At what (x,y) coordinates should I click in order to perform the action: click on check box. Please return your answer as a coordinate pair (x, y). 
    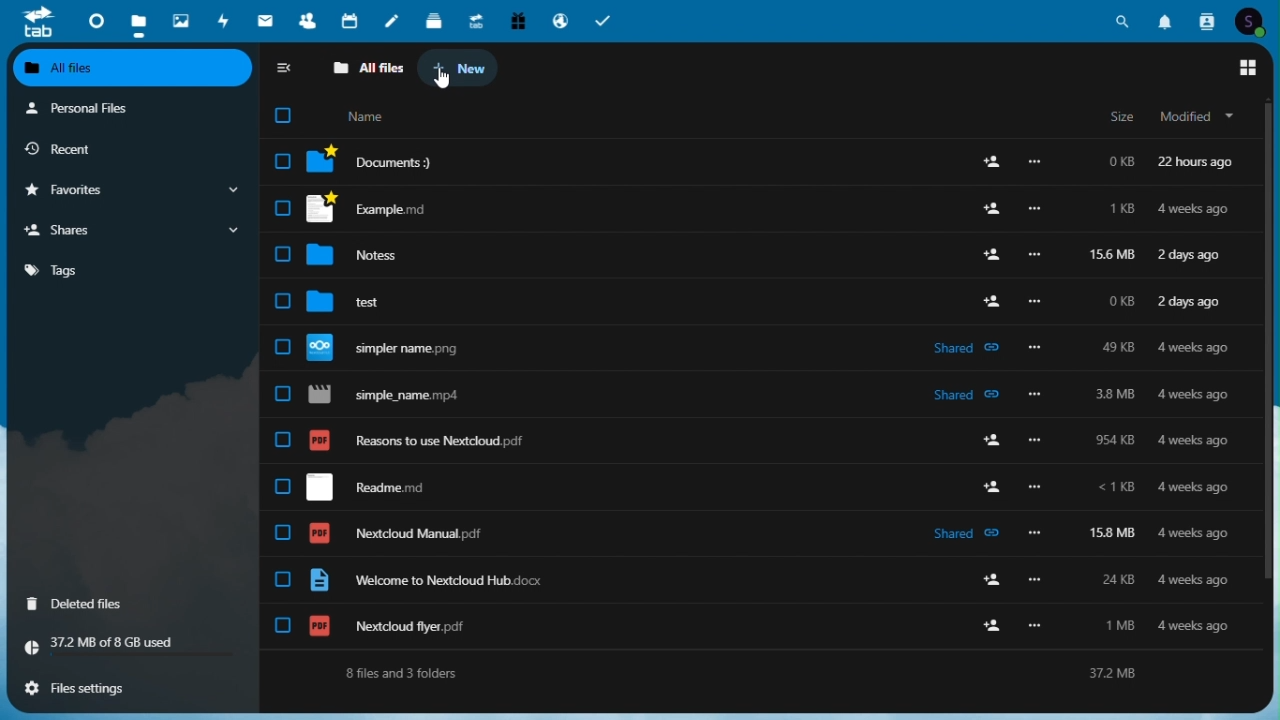
    Looking at the image, I should click on (283, 207).